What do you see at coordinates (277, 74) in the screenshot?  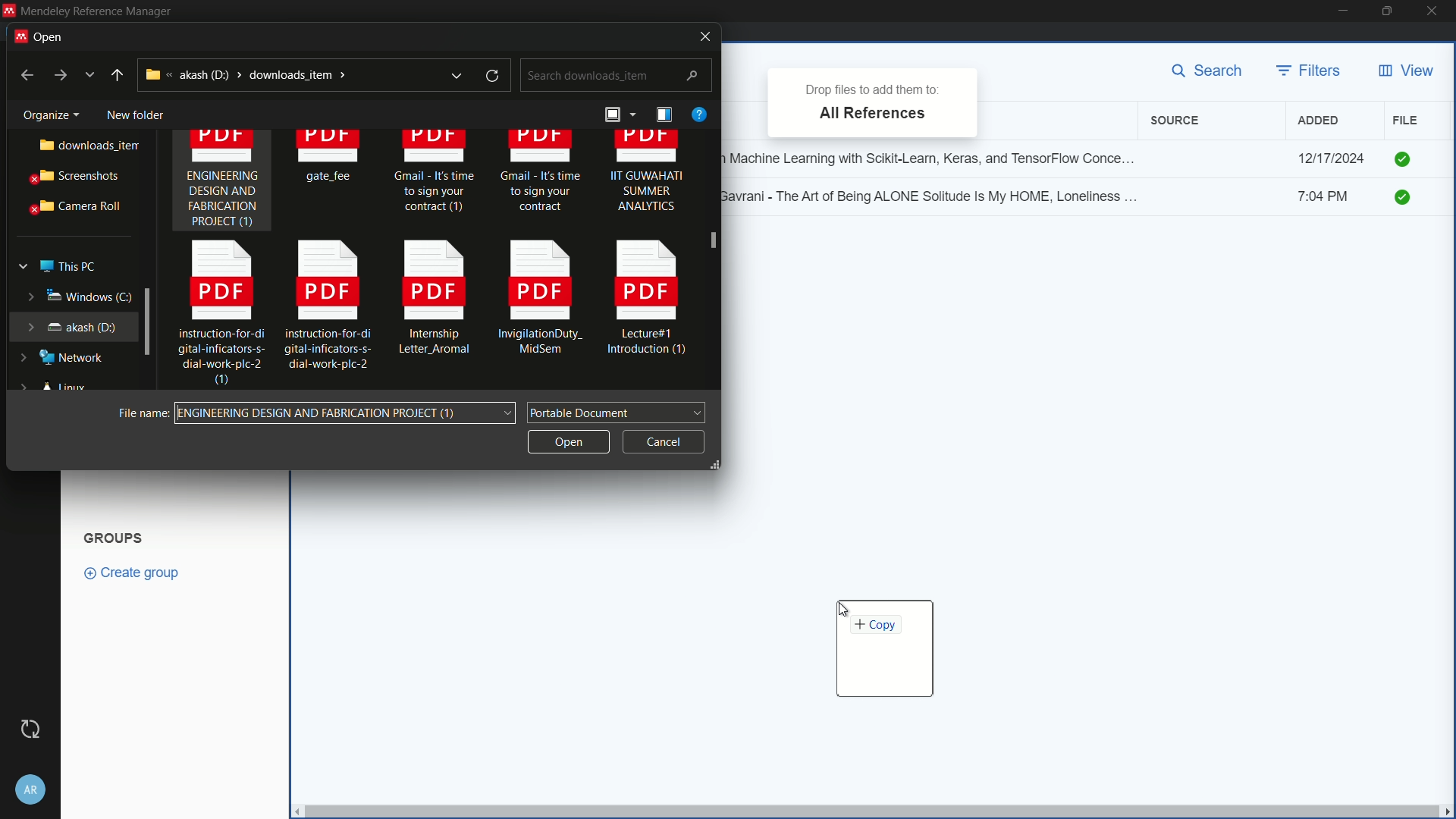 I see `akash (d:) > downloads_item` at bounding box center [277, 74].